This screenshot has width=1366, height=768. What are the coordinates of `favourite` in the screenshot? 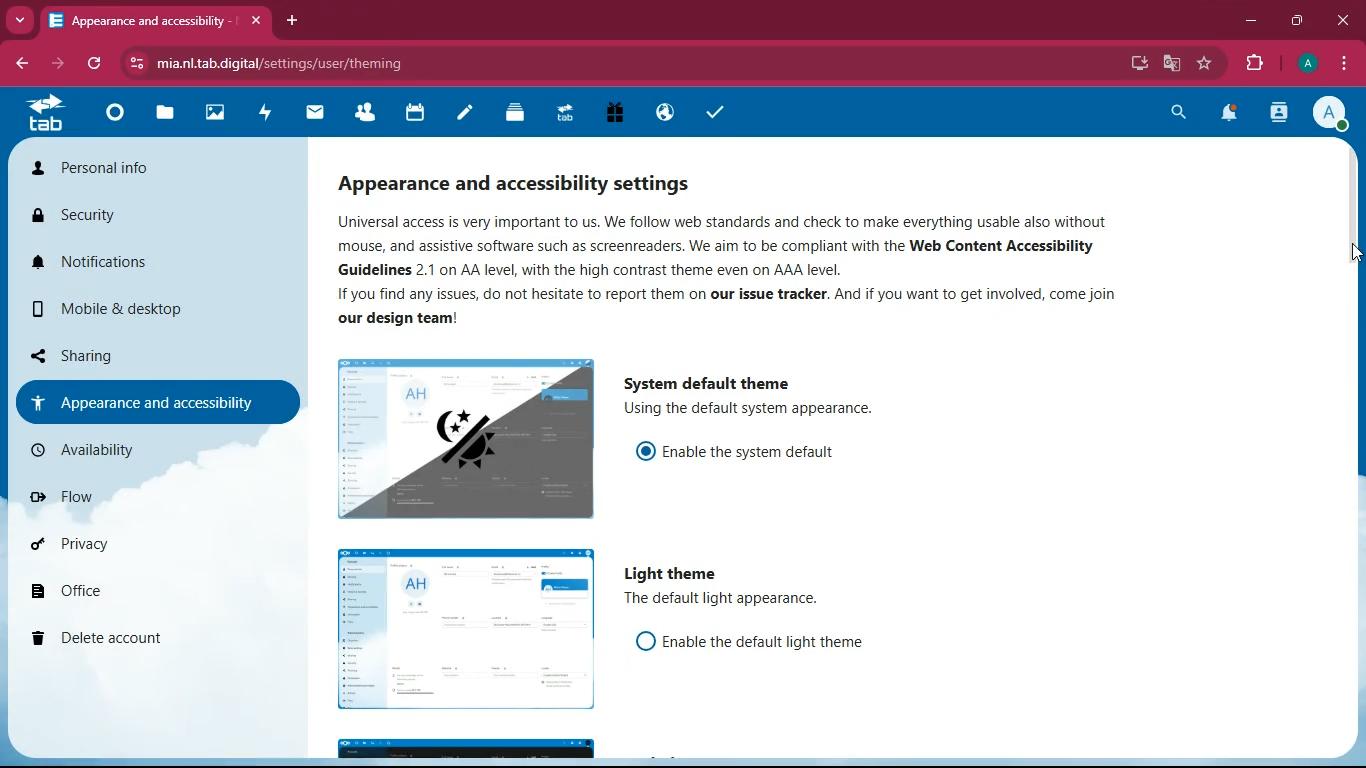 It's located at (1201, 64).